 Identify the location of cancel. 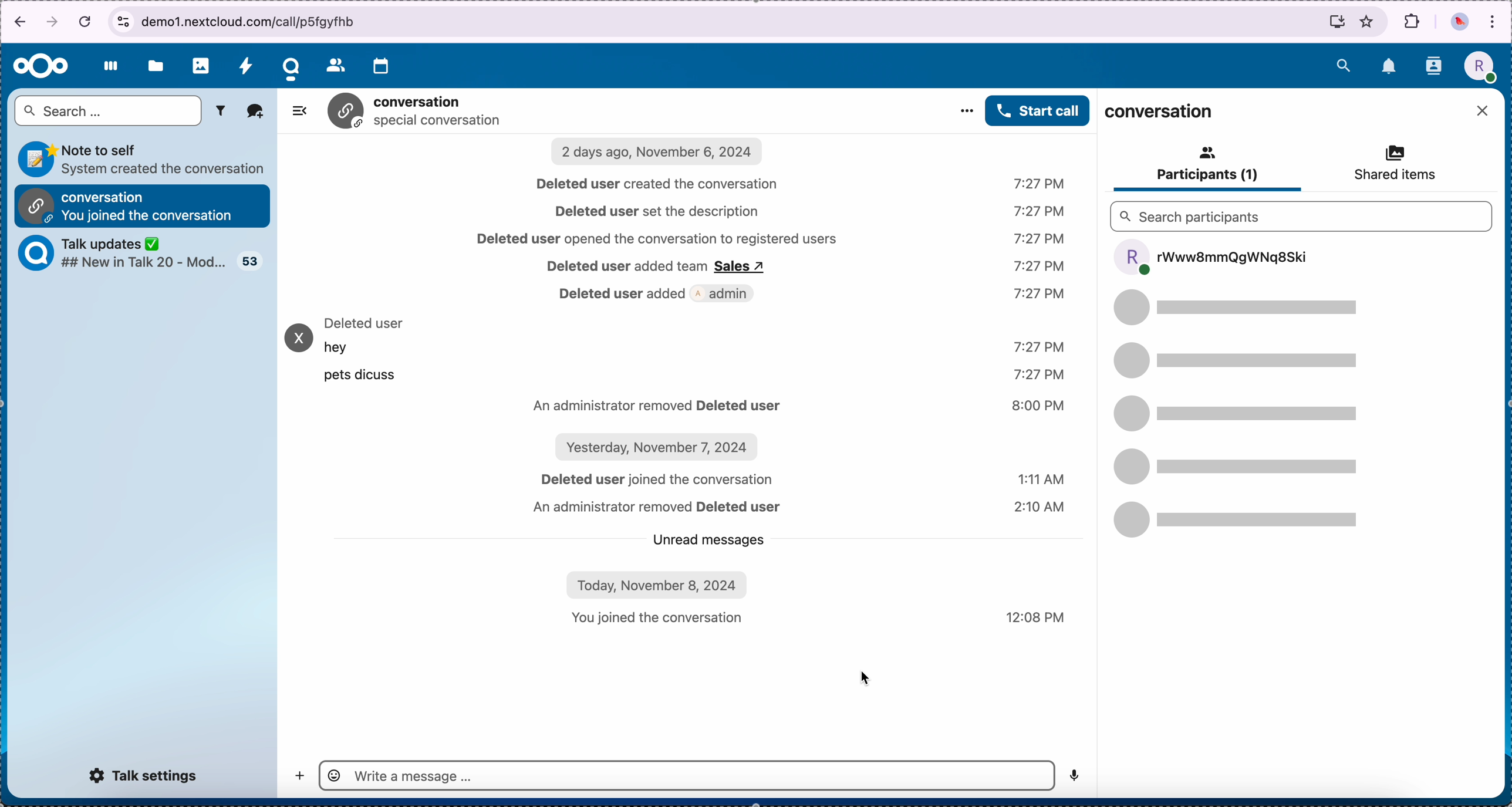
(86, 16).